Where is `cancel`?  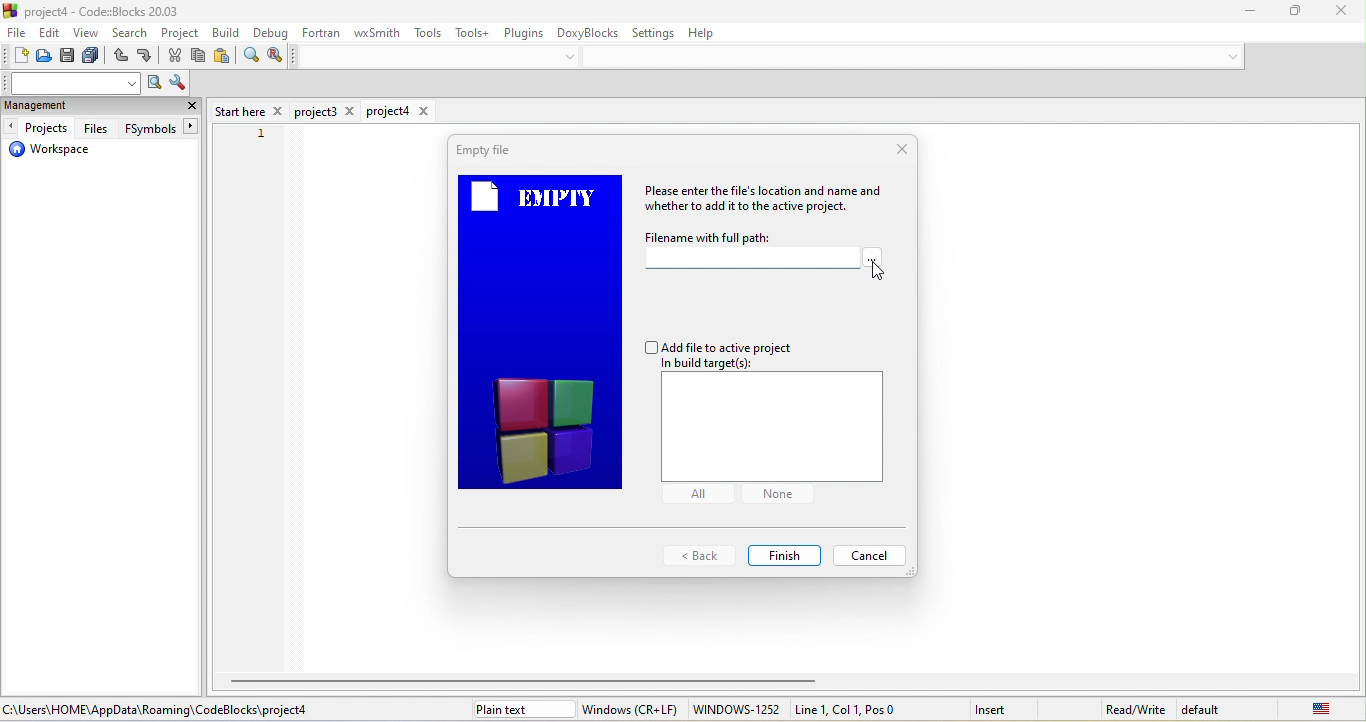 cancel is located at coordinates (869, 554).